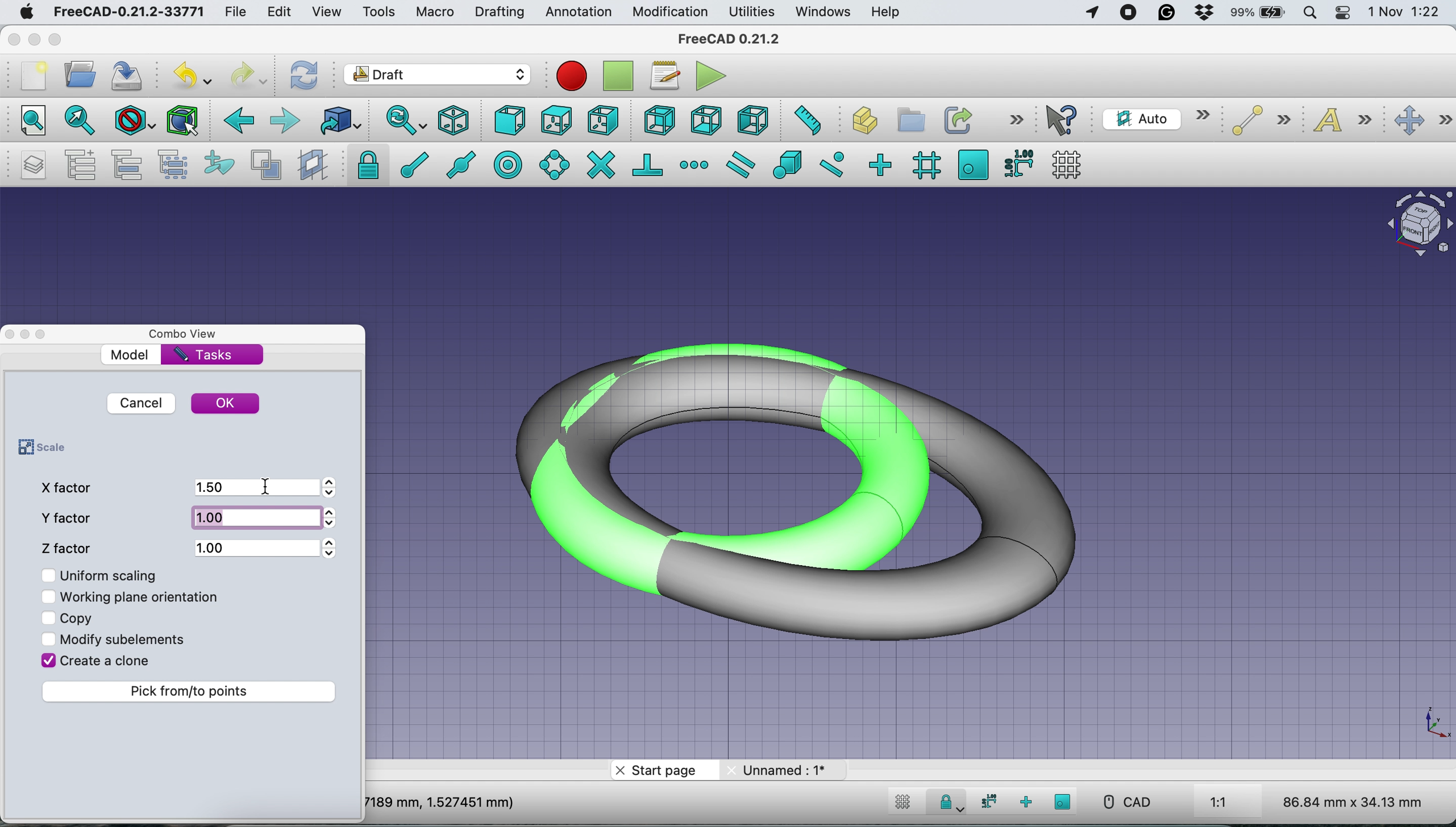 Image resolution: width=1456 pixels, height=827 pixels. Describe the element at coordinates (1071, 164) in the screenshot. I see `toggle grid` at that location.